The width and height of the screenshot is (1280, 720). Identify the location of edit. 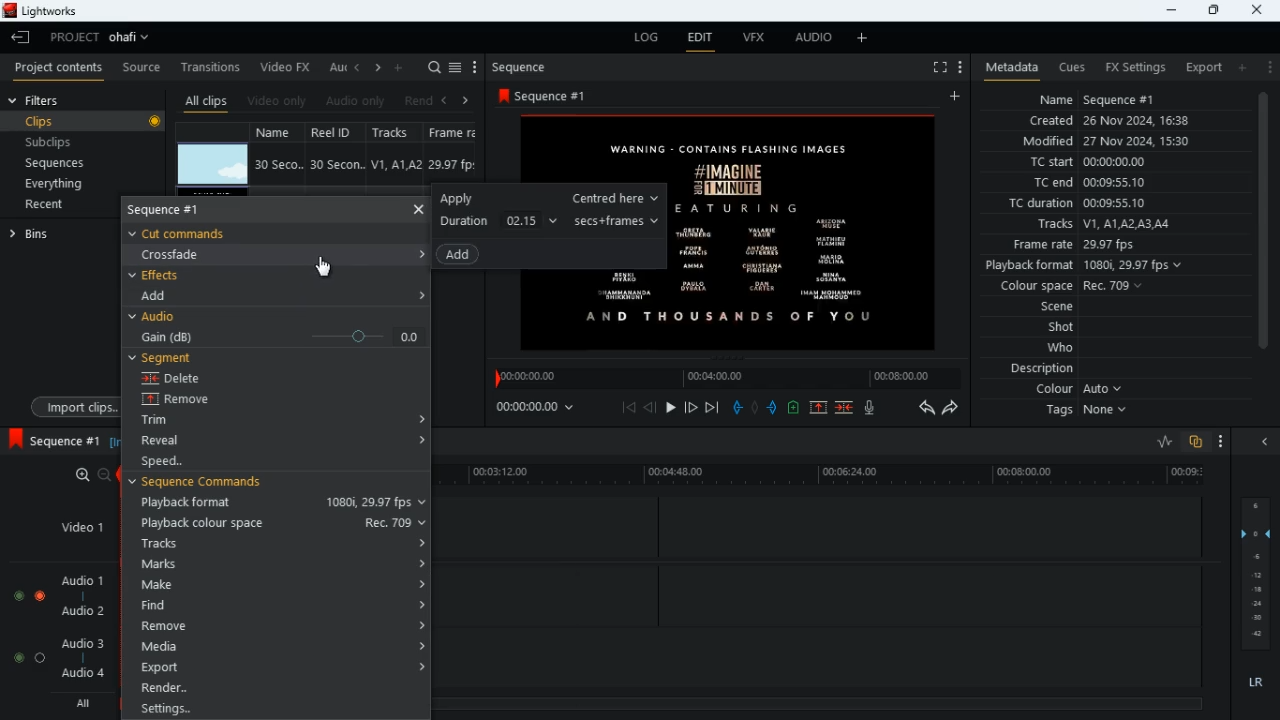
(700, 40).